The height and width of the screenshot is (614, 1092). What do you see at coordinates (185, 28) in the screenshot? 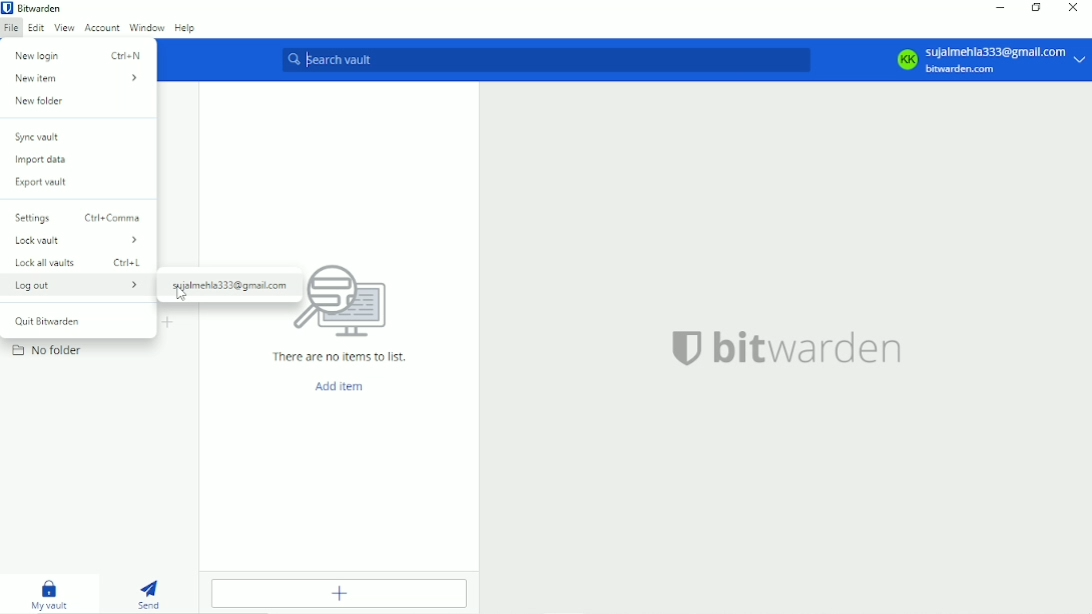
I see `Help` at bounding box center [185, 28].